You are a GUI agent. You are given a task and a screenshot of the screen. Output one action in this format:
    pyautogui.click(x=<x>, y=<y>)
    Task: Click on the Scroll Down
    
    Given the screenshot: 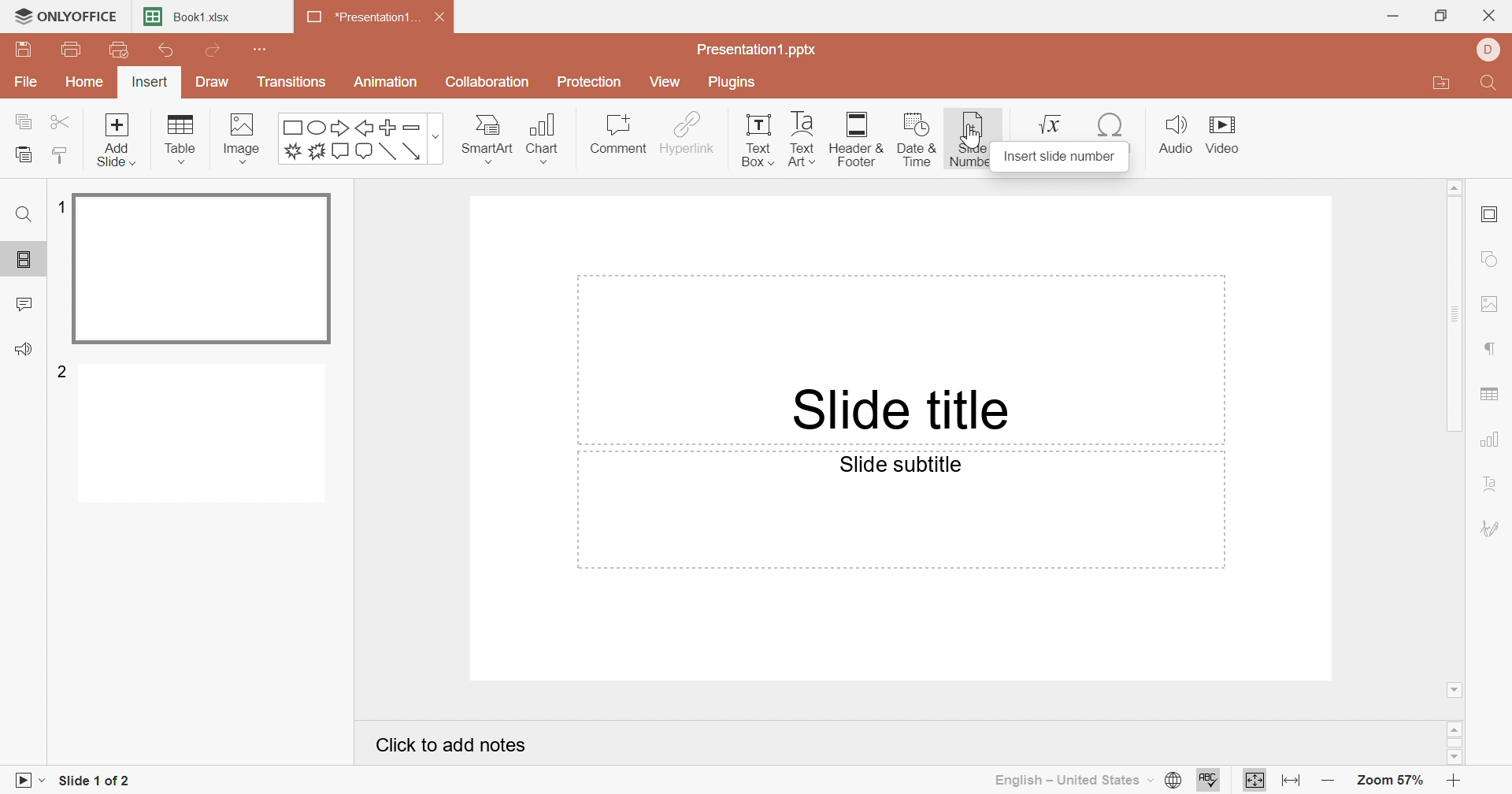 What is the action you would take?
    pyautogui.click(x=1451, y=755)
    